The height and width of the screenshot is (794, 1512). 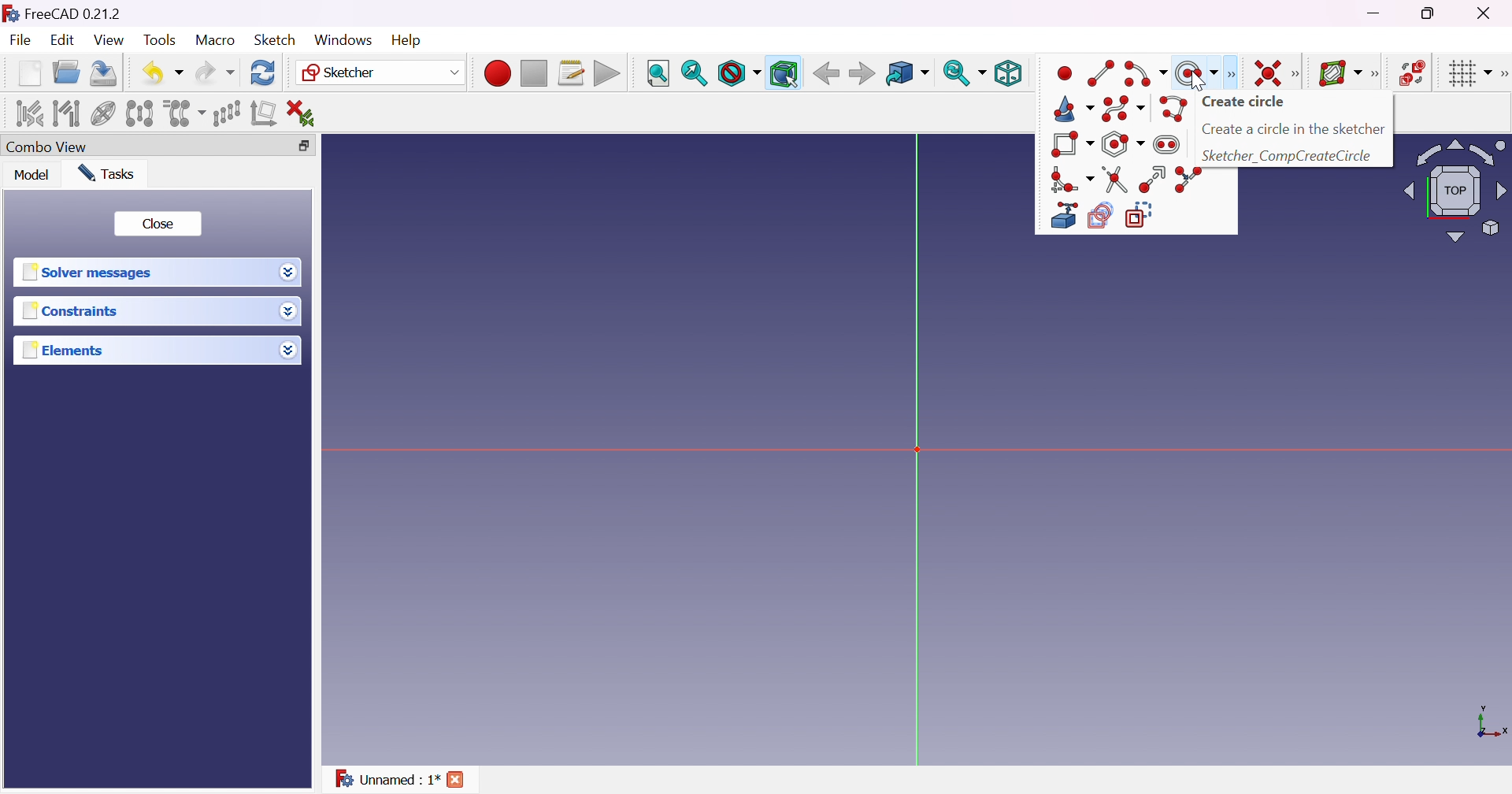 What do you see at coordinates (33, 176) in the screenshot?
I see `Model` at bounding box center [33, 176].